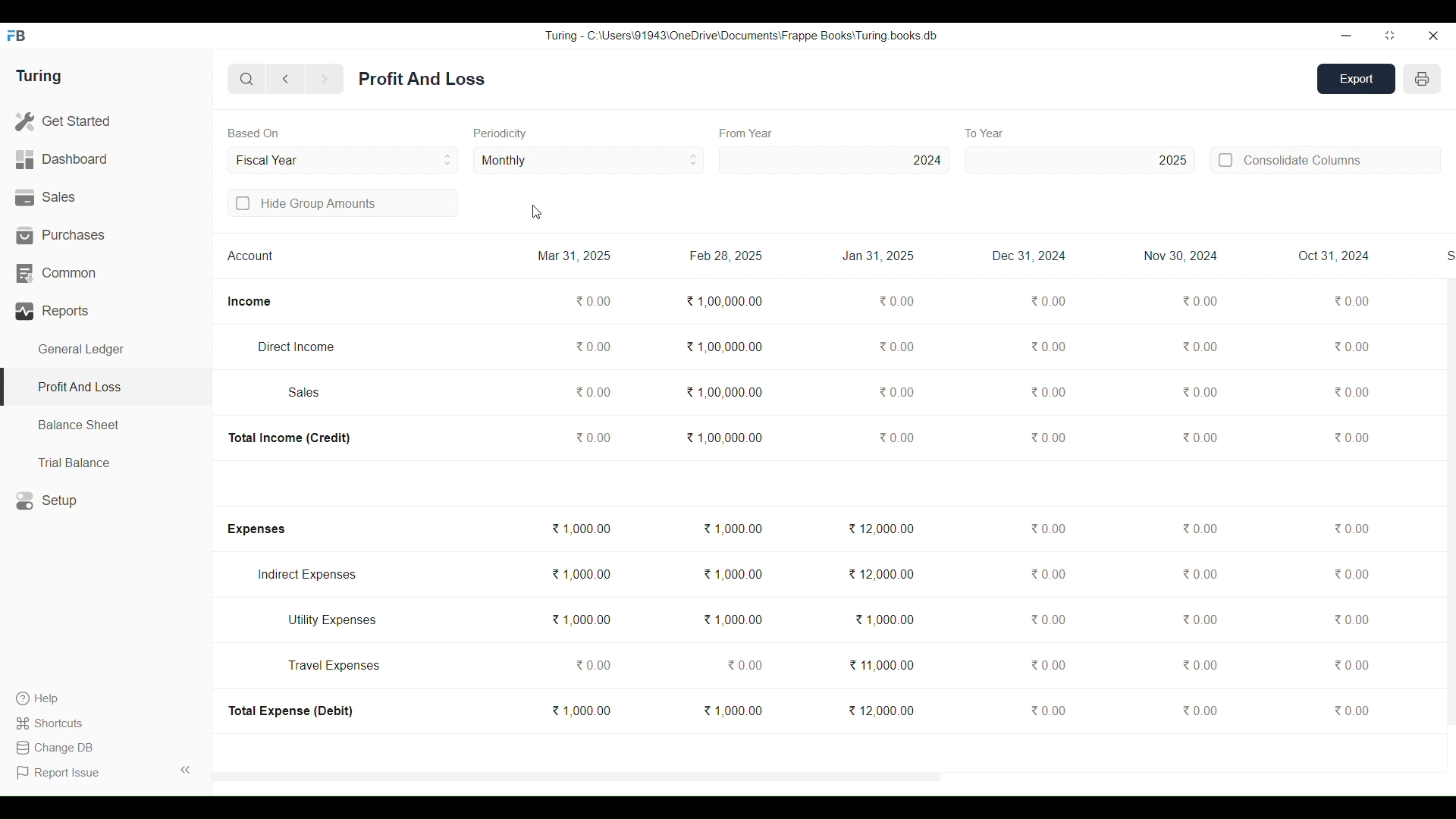 The image size is (1456, 819). What do you see at coordinates (581, 529) in the screenshot?
I see `1,000.00` at bounding box center [581, 529].